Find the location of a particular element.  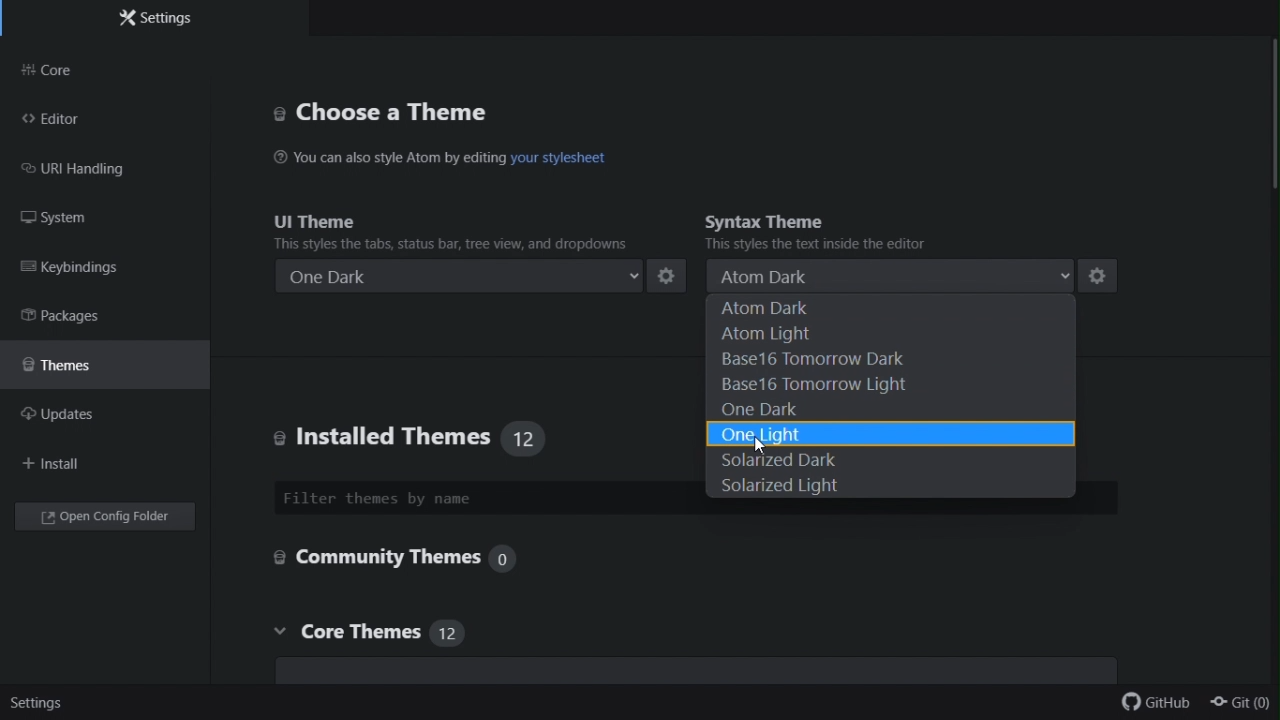

Atom dark is located at coordinates (889, 307).